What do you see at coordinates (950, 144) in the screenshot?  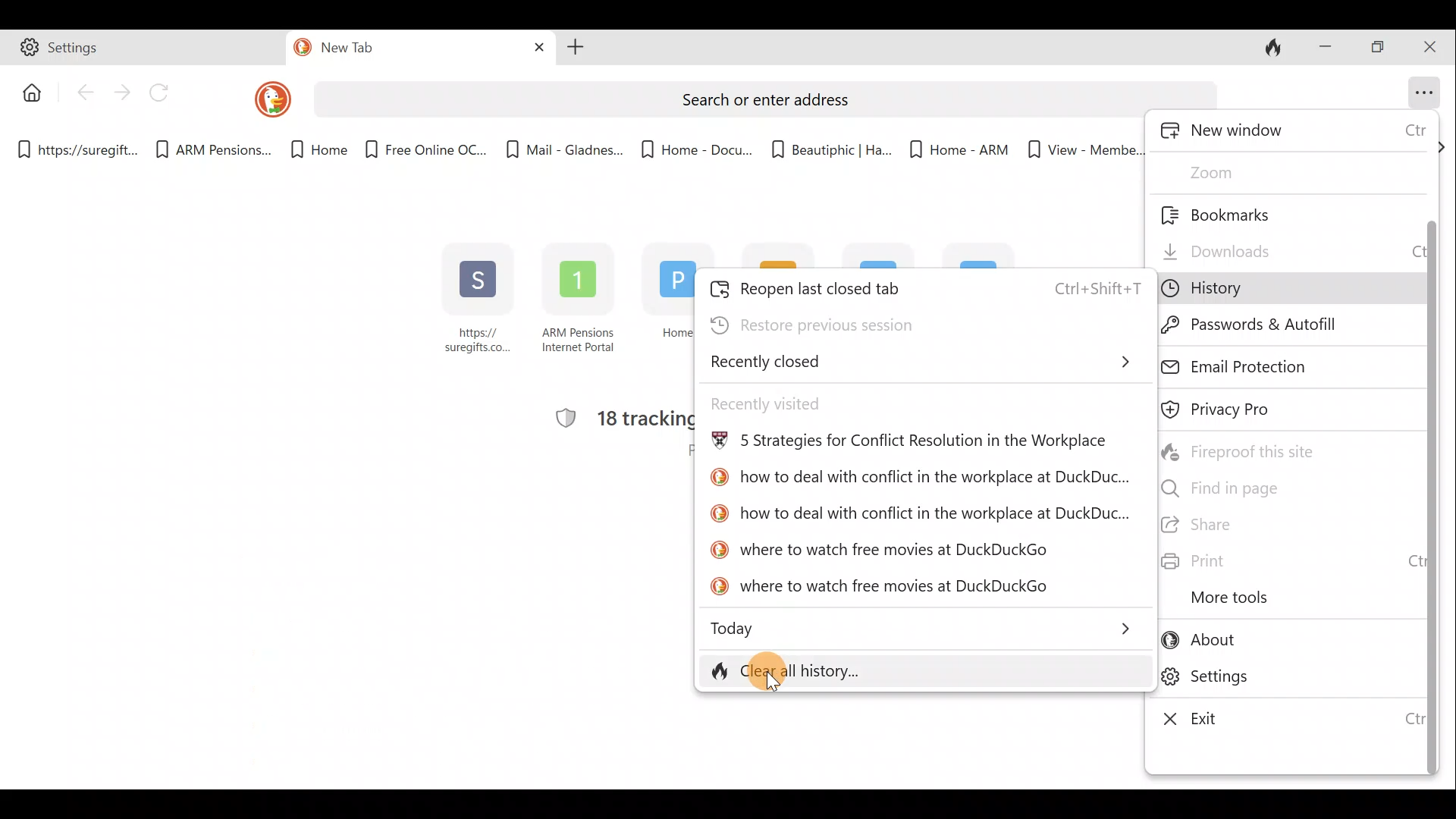 I see `Home - ARM` at bounding box center [950, 144].